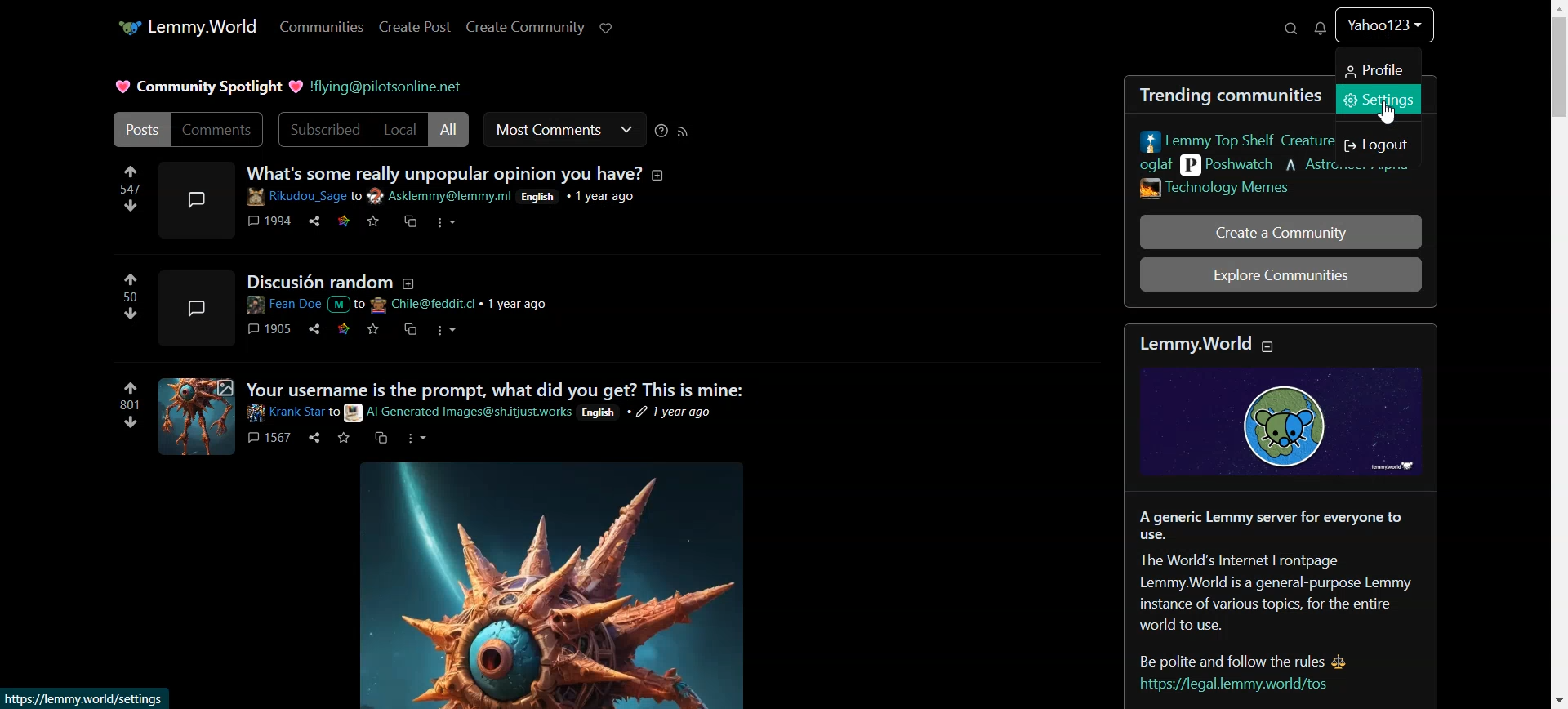  I want to click on Comments, so click(219, 130).